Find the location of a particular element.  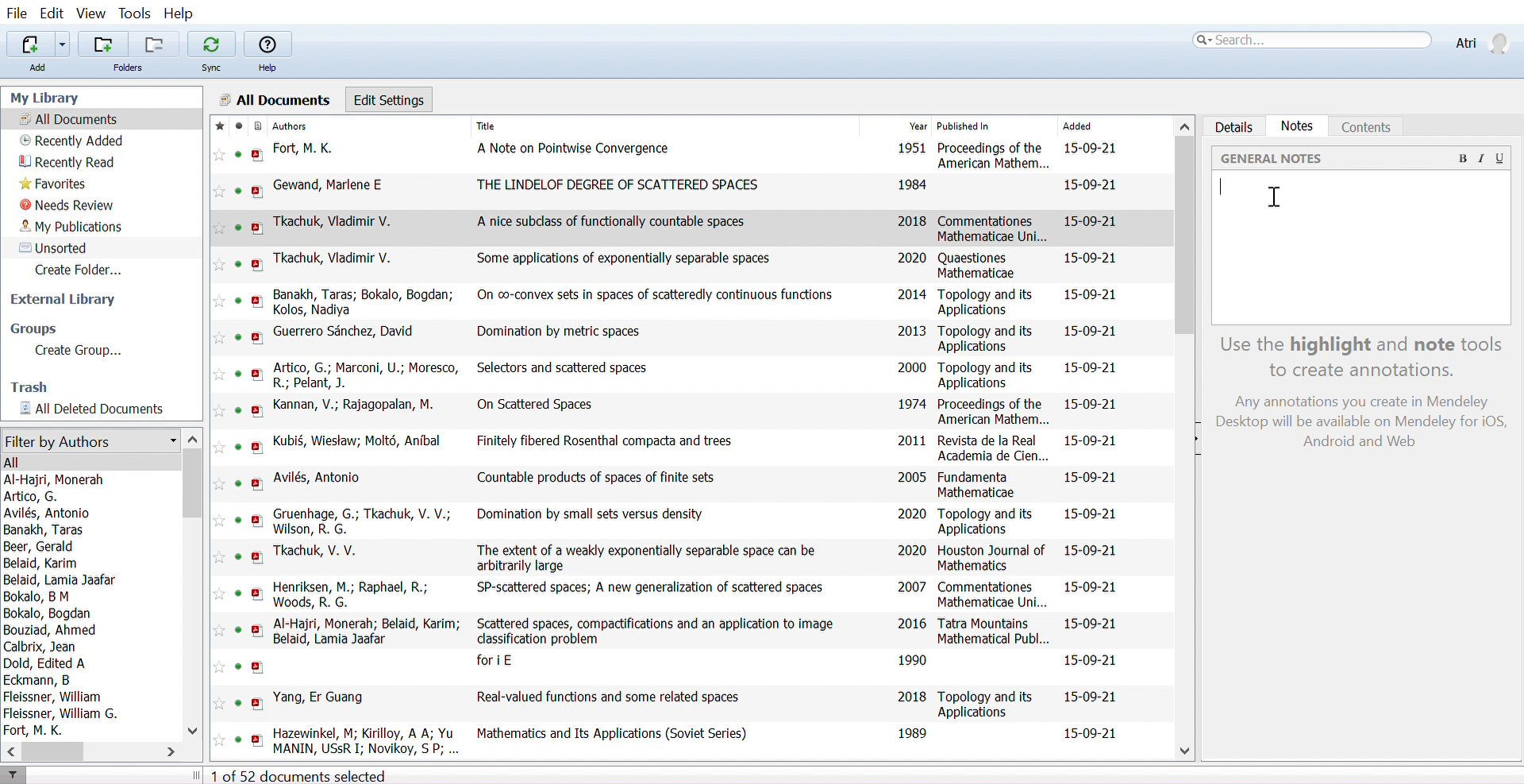

15-09-21 is located at coordinates (1094, 404).